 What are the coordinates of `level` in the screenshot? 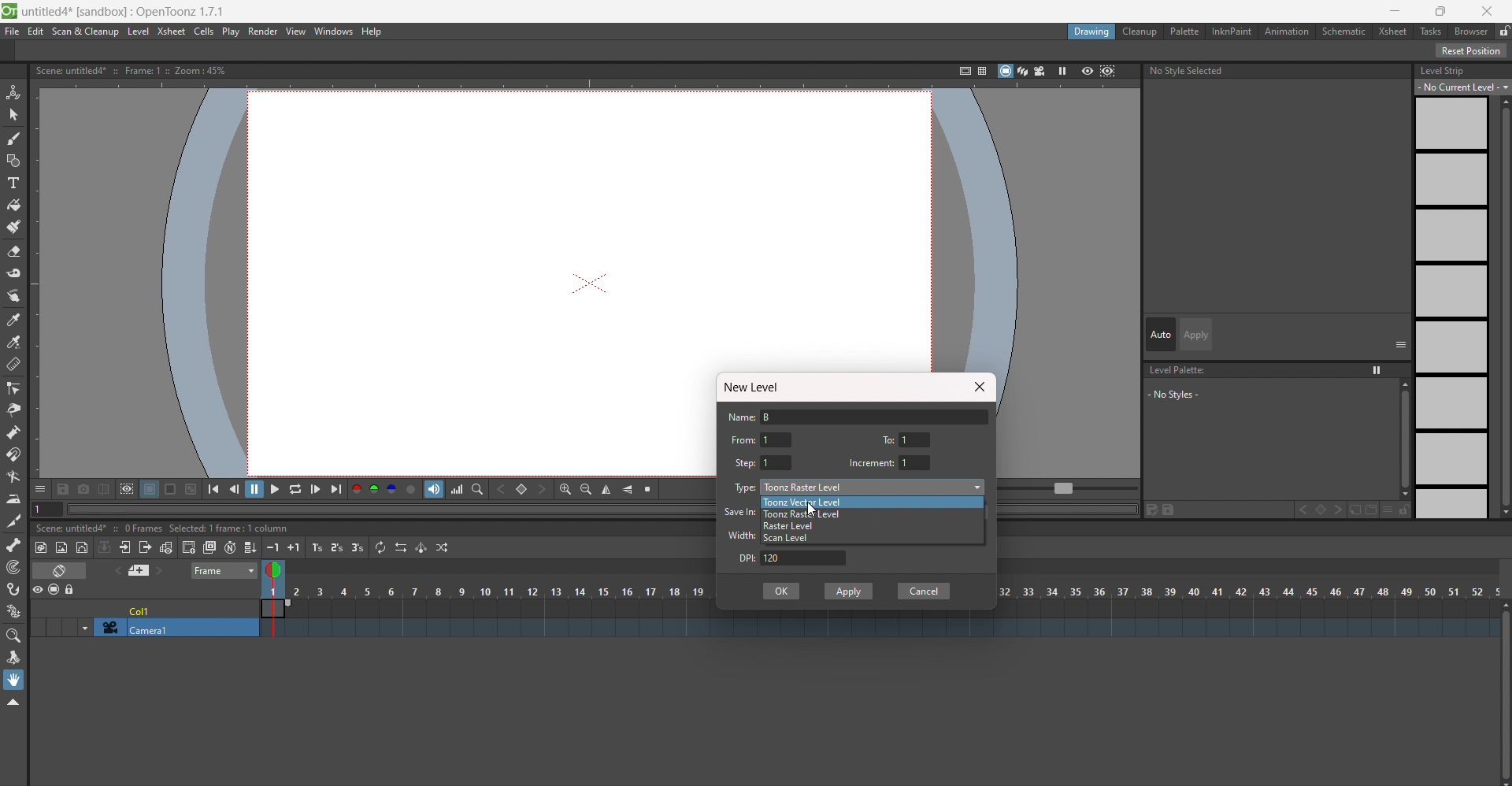 It's located at (138, 32).